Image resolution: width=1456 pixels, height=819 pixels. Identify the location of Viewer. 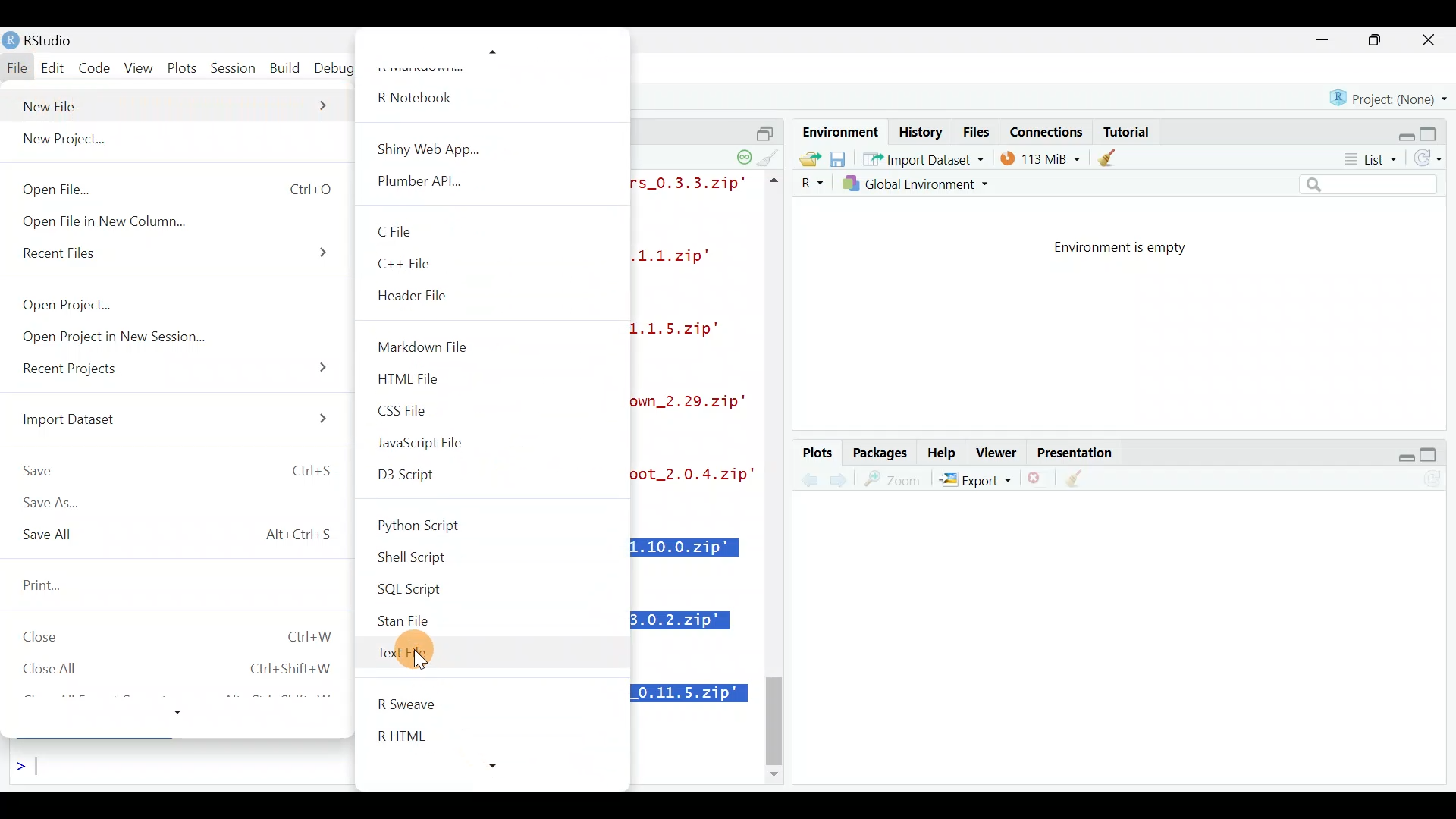
(996, 454).